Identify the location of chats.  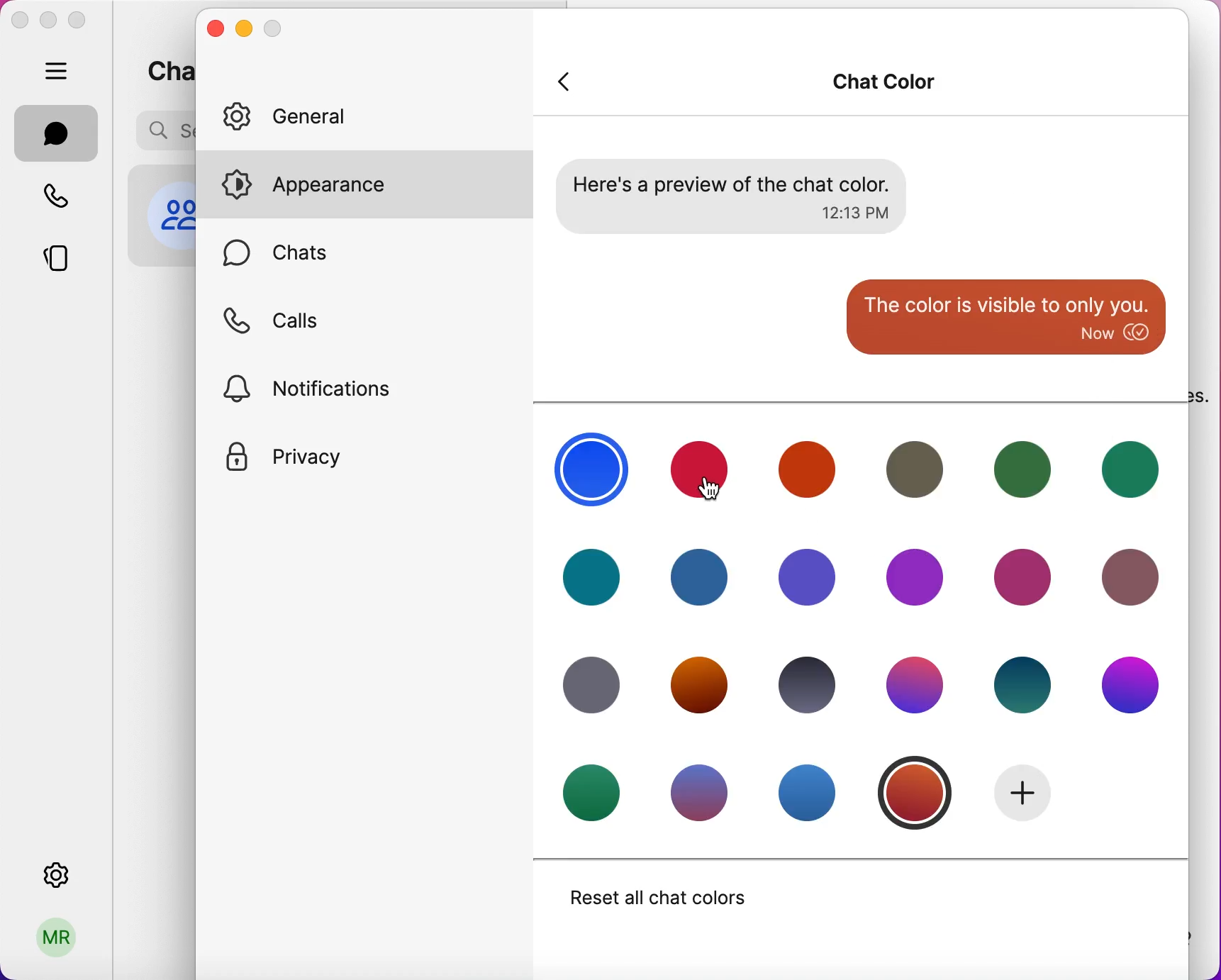
(303, 253).